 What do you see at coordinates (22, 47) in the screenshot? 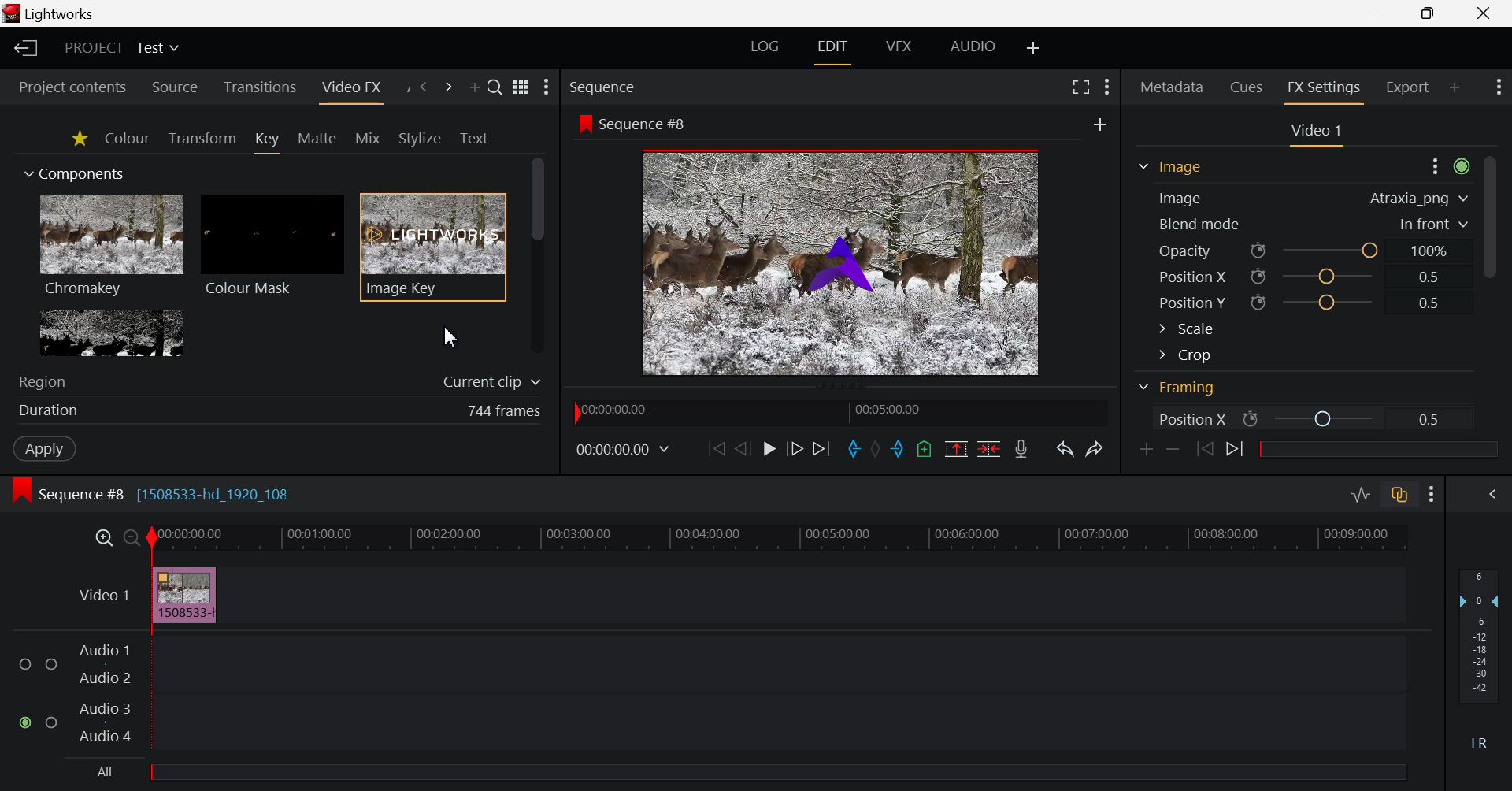
I see `Back to Homepage` at bounding box center [22, 47].